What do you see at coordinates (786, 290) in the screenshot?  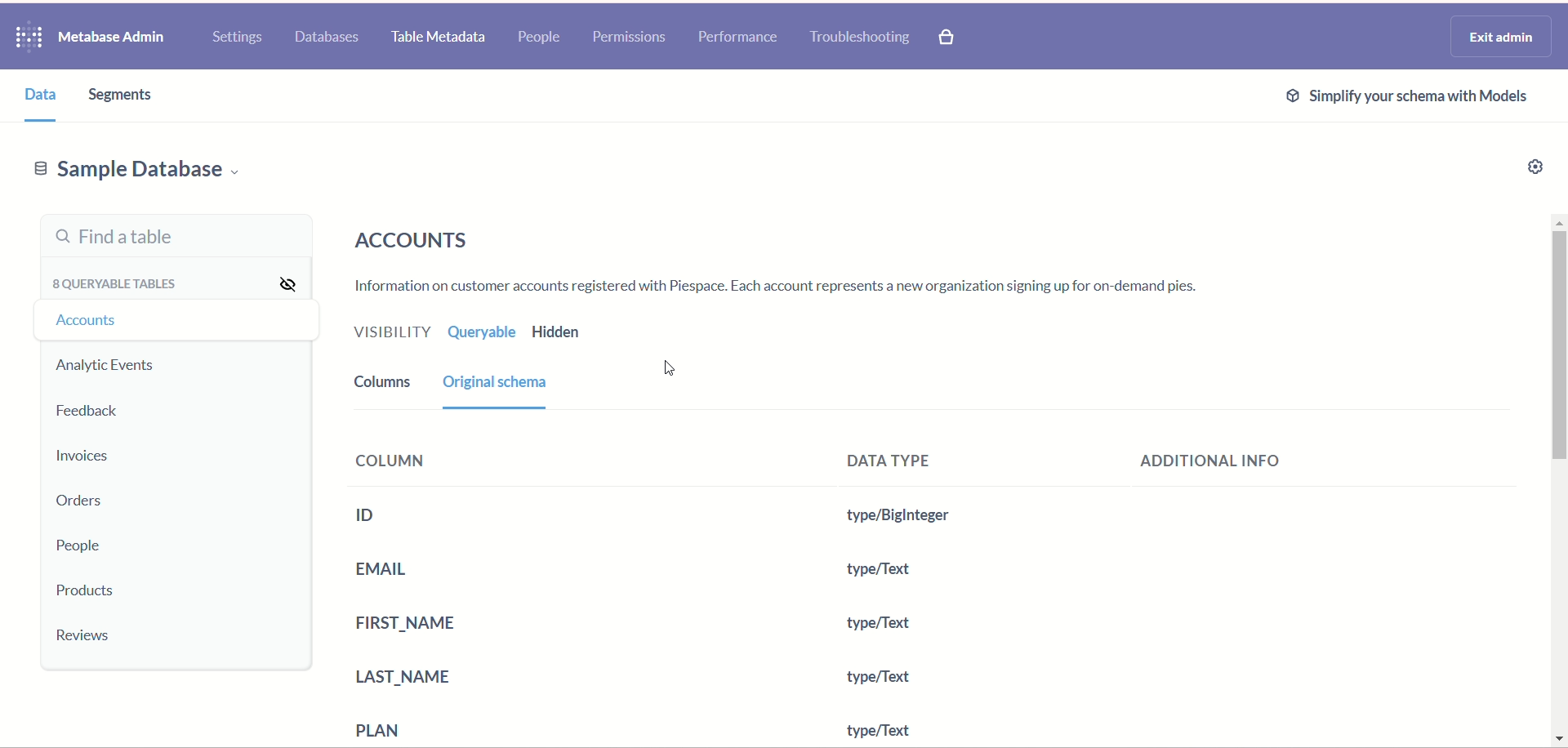 I see `text` at bounding box center [786, 290].